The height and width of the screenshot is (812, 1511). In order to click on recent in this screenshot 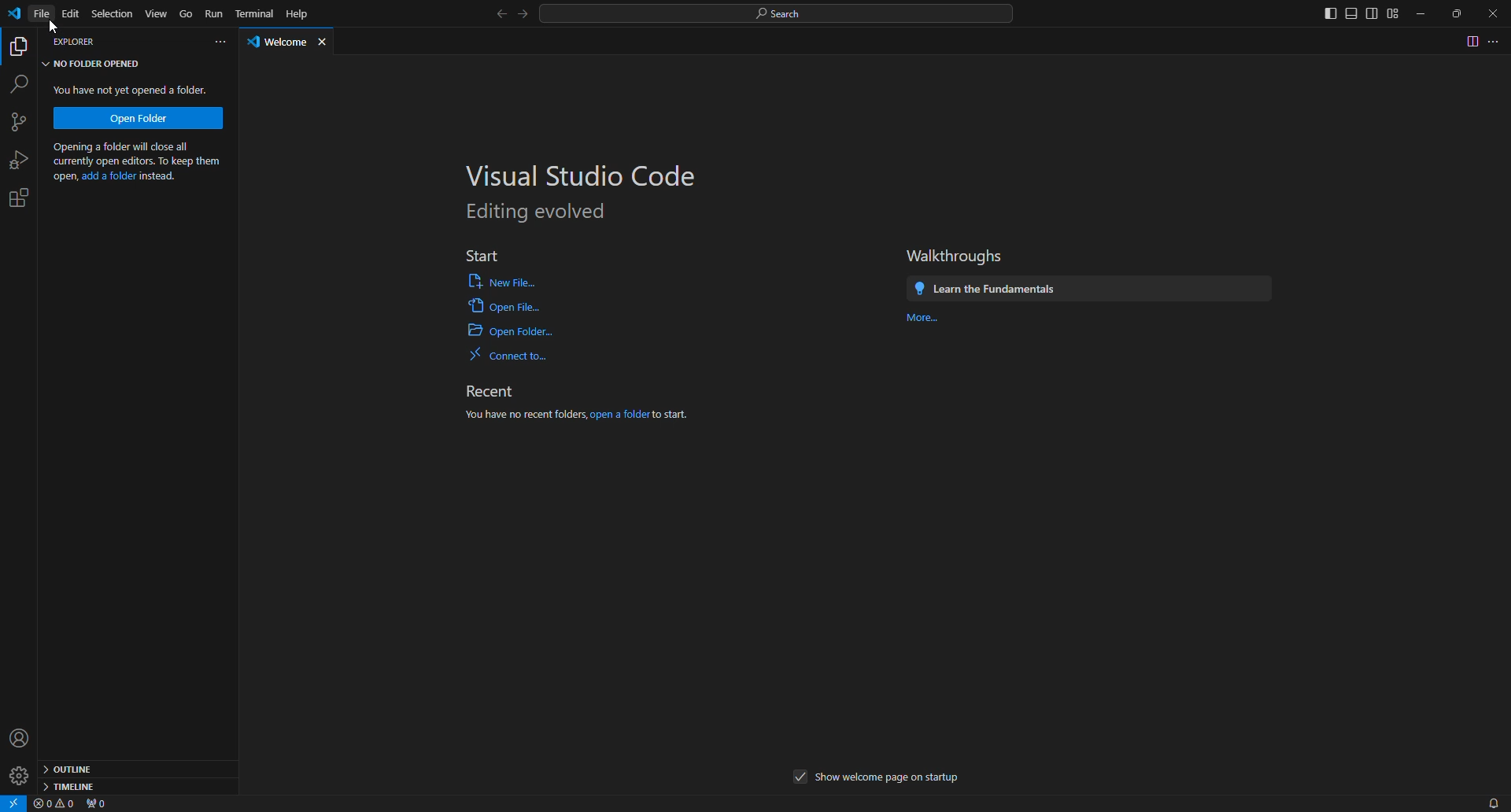, I will do `click(491, 392)`.